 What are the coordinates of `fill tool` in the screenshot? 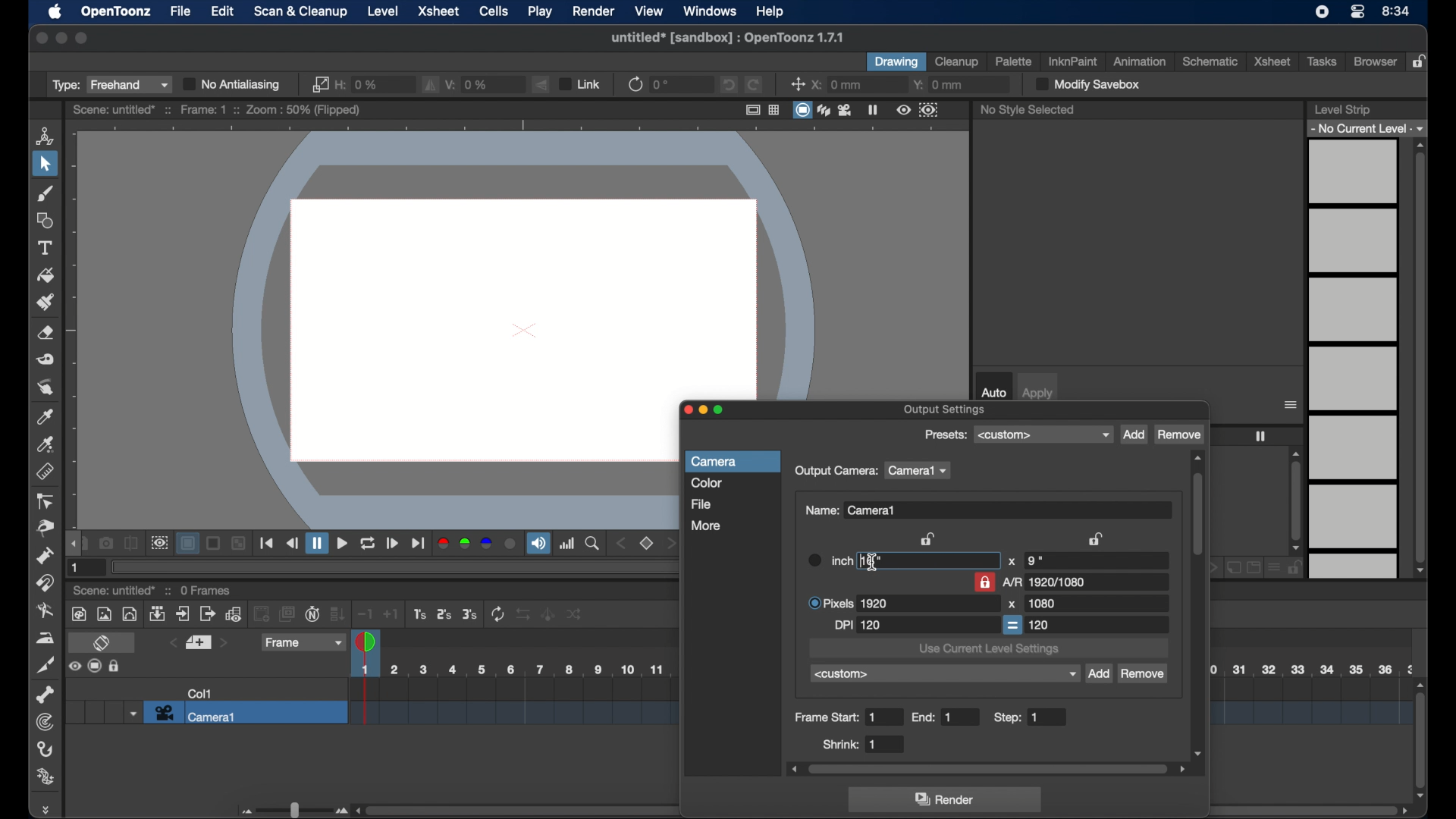 It's located at (46, 276).